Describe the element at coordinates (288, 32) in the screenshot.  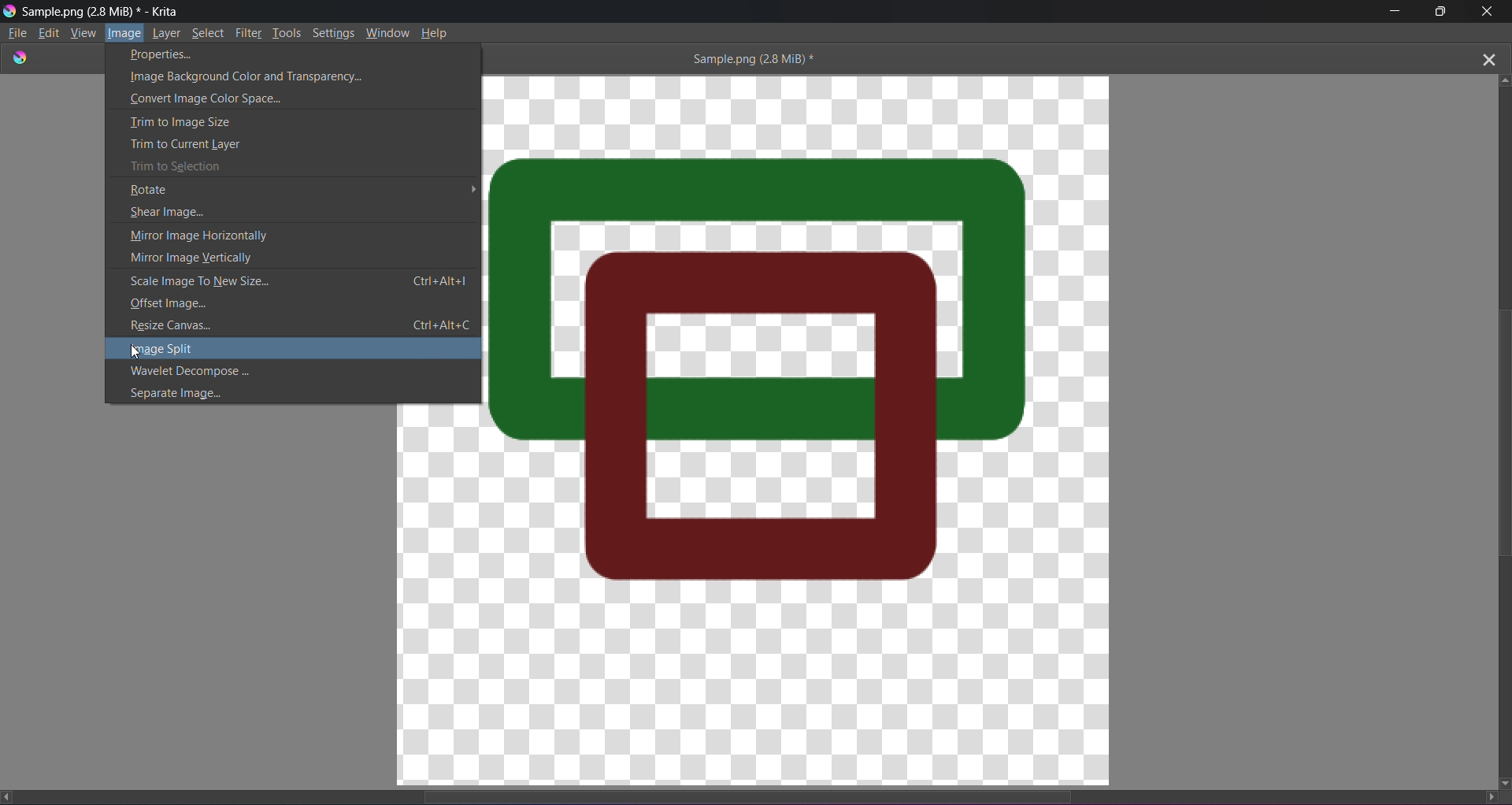
I see `Tools` at that location.